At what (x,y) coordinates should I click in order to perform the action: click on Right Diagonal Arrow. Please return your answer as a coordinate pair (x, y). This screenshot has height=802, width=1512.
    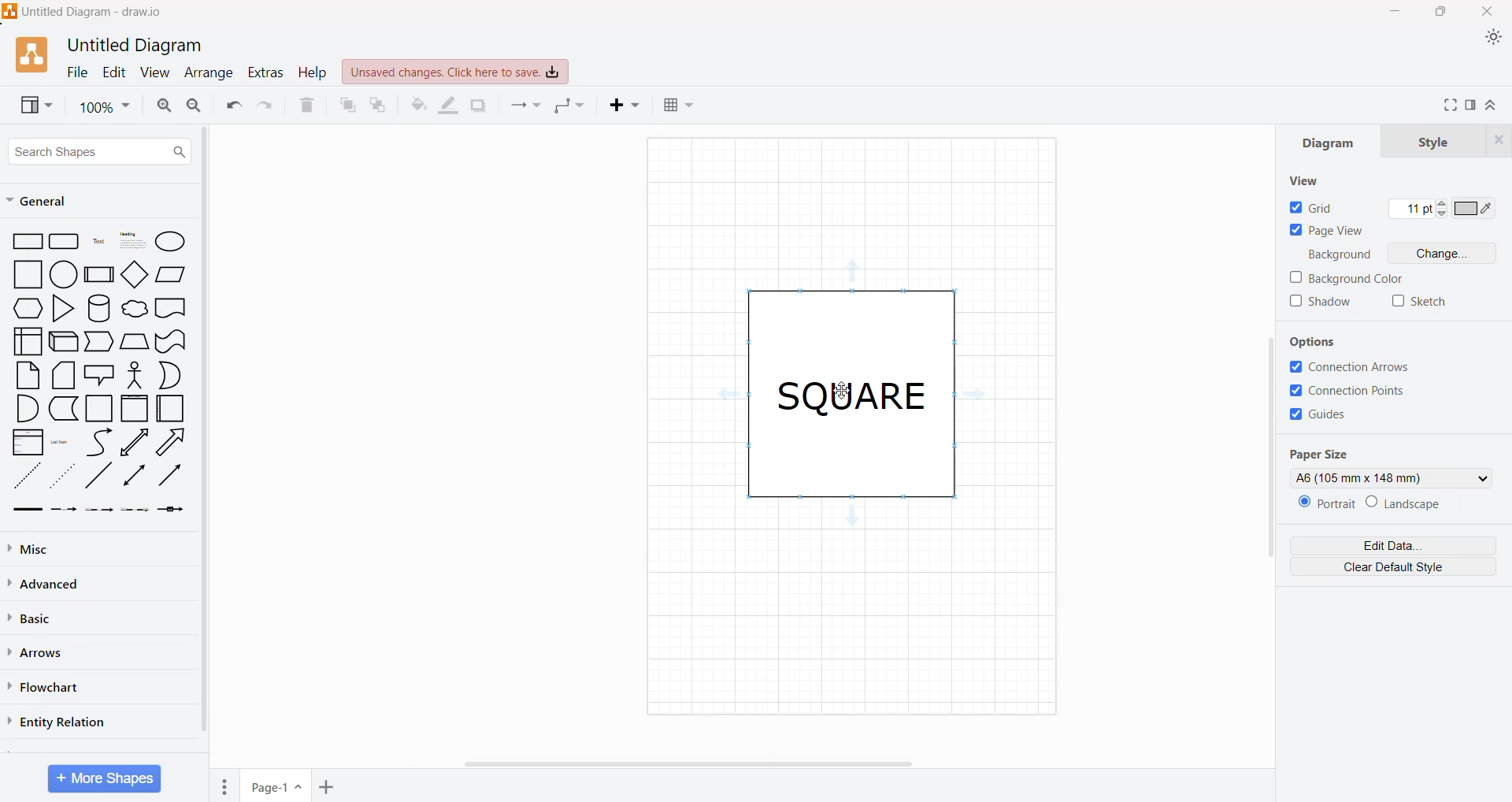
    Looking at the image, I should click on (173, 443).